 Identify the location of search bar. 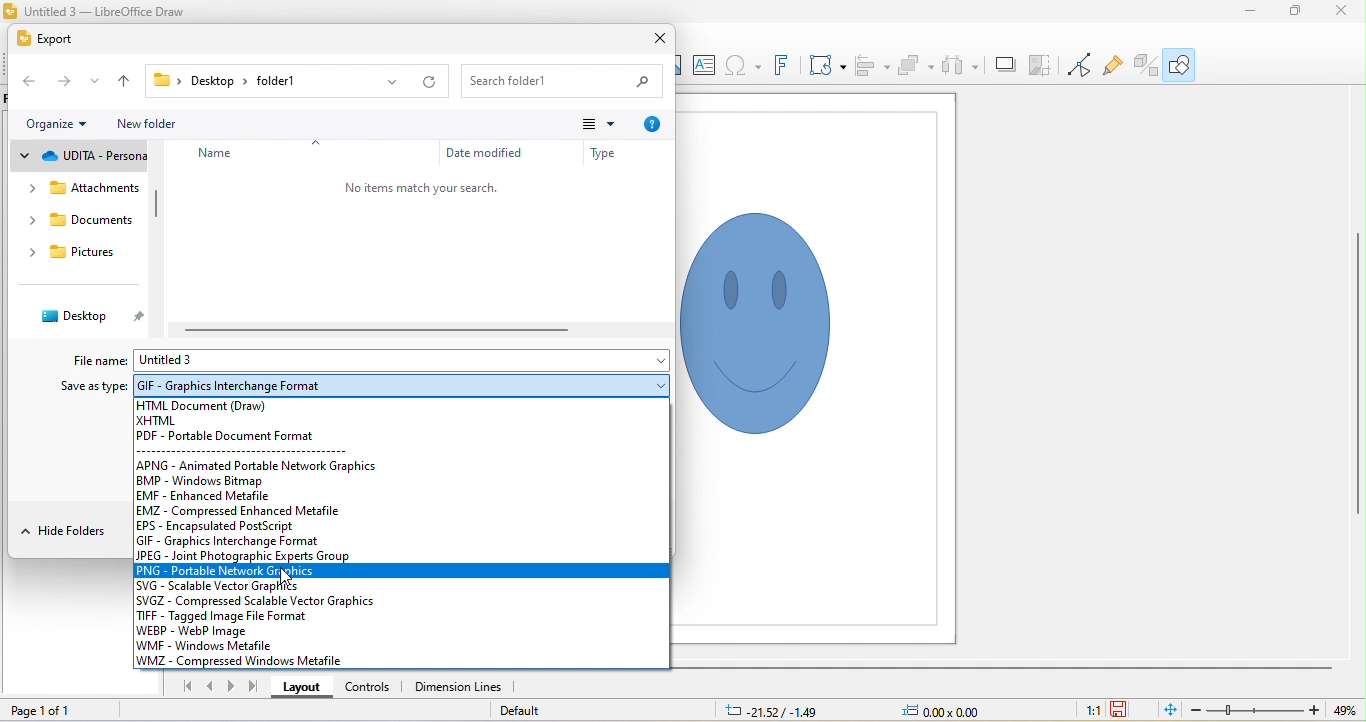
(562, 81).